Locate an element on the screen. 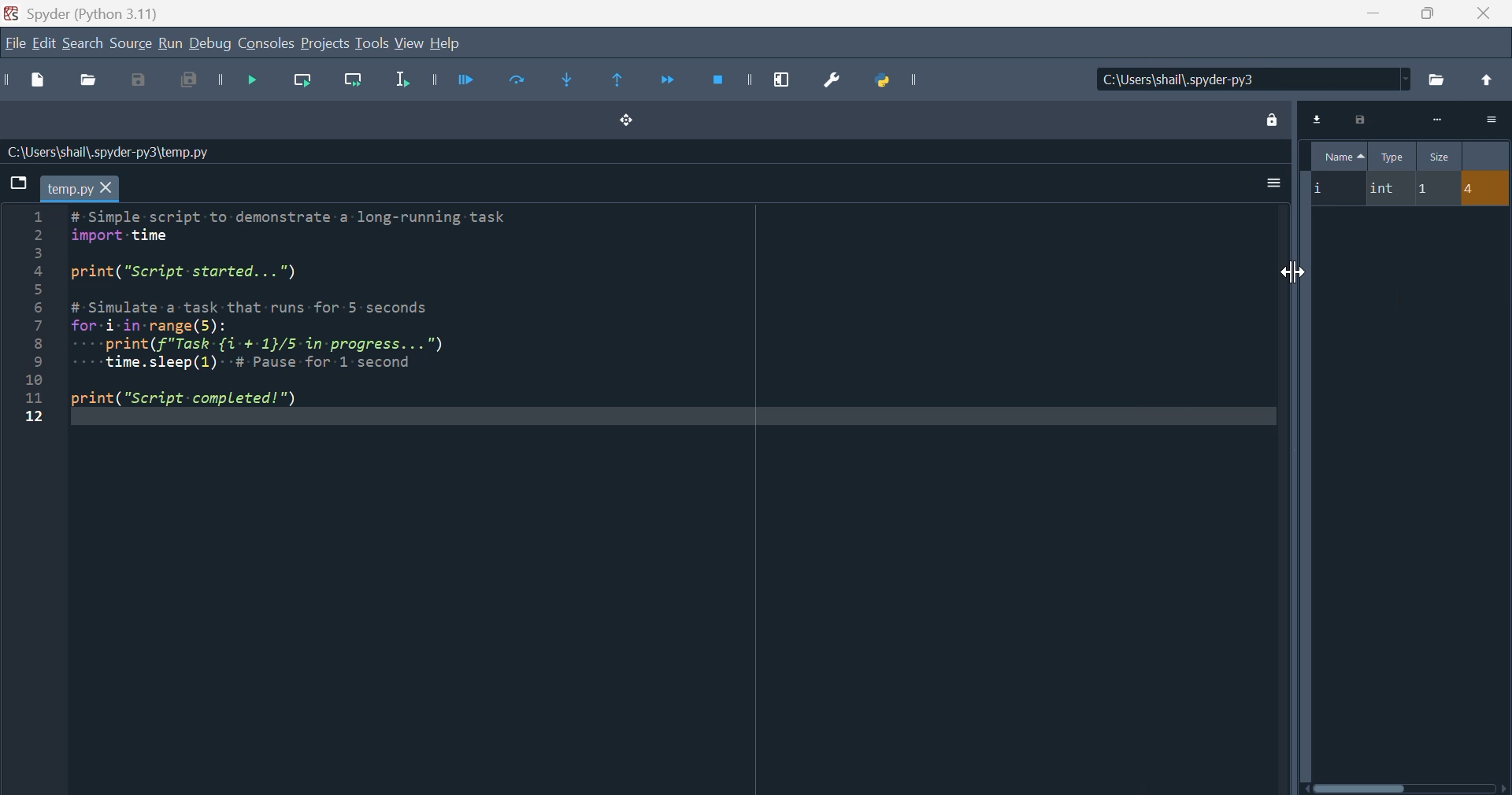 Image resolution: width=1512 pixels, height=795 pixels. Search is located at coordinates (83, 45).